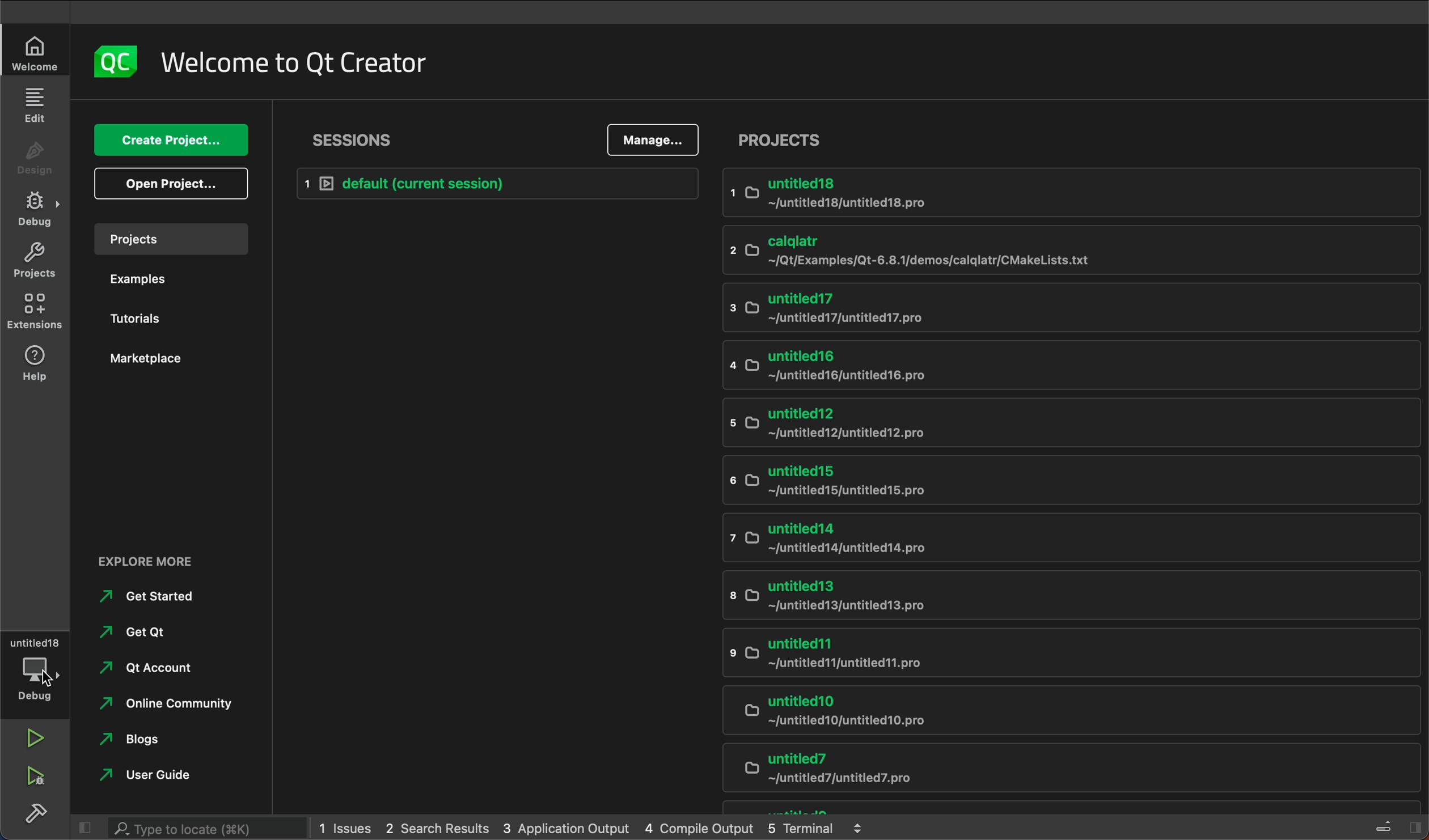  I want to click on untitled 16, so click(984, 366).